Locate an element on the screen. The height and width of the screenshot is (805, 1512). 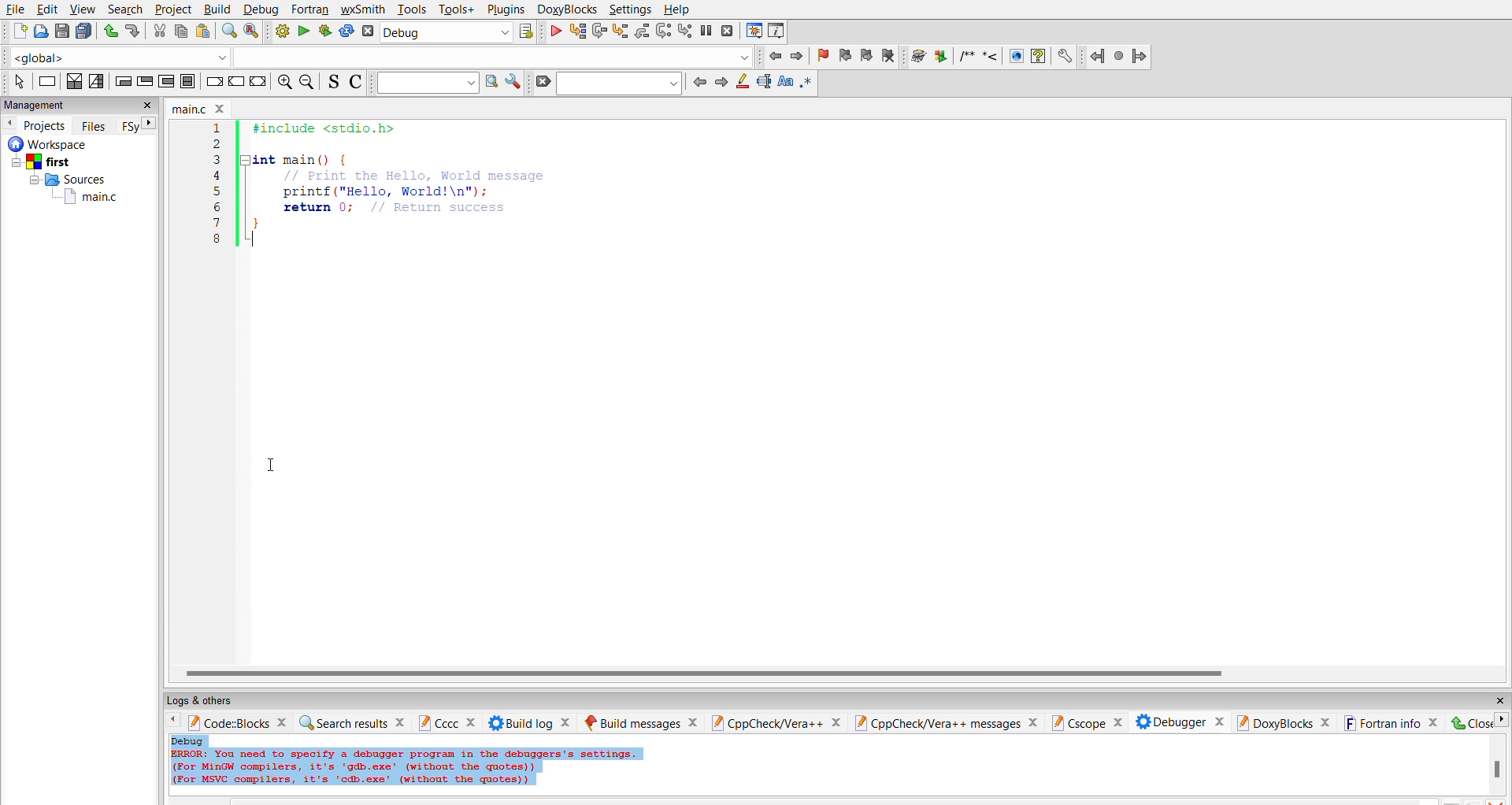
build is located at coordinates (280, 31).